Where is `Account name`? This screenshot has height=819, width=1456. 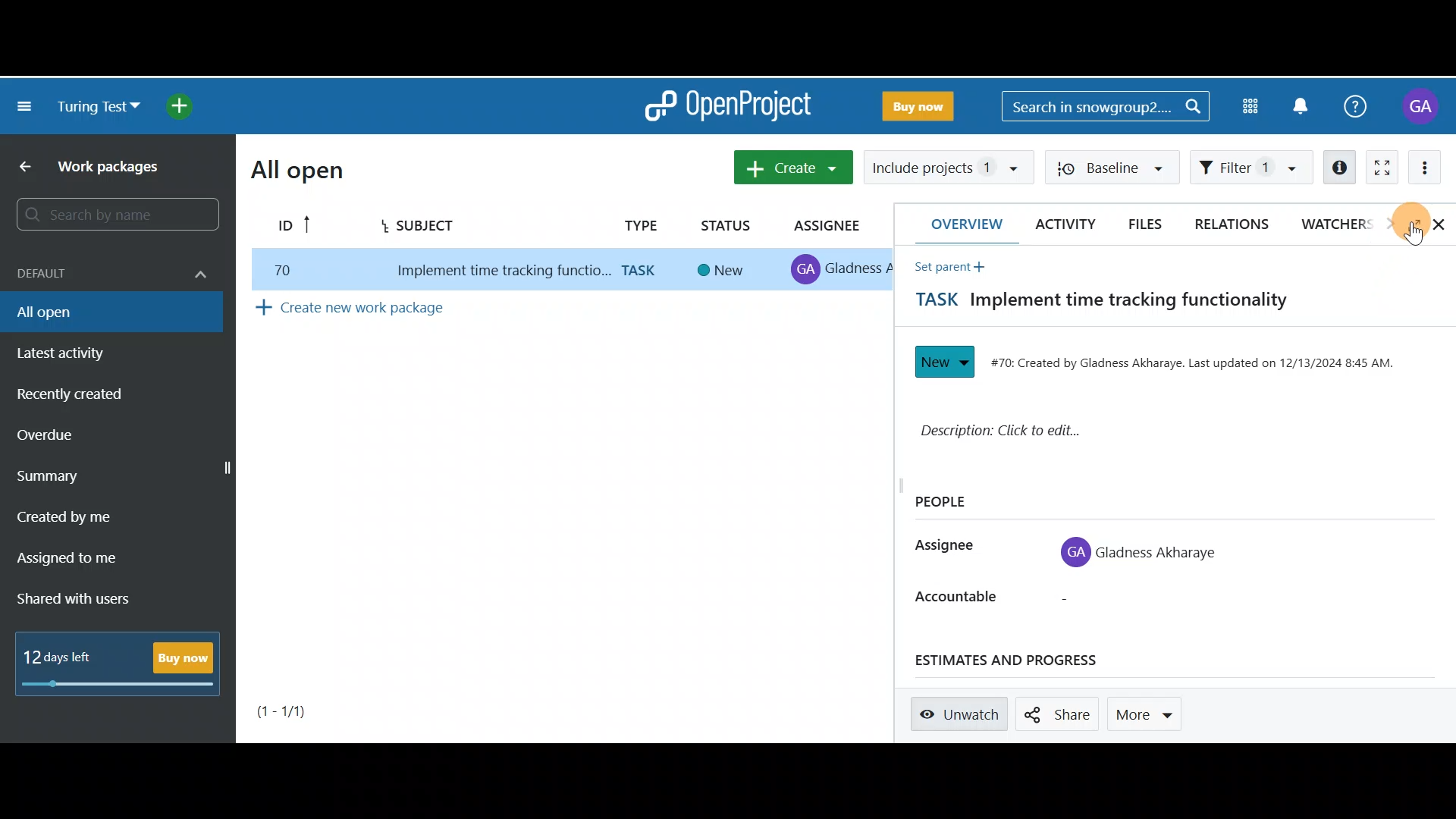
Account name is located at coordinates (1423, 107).